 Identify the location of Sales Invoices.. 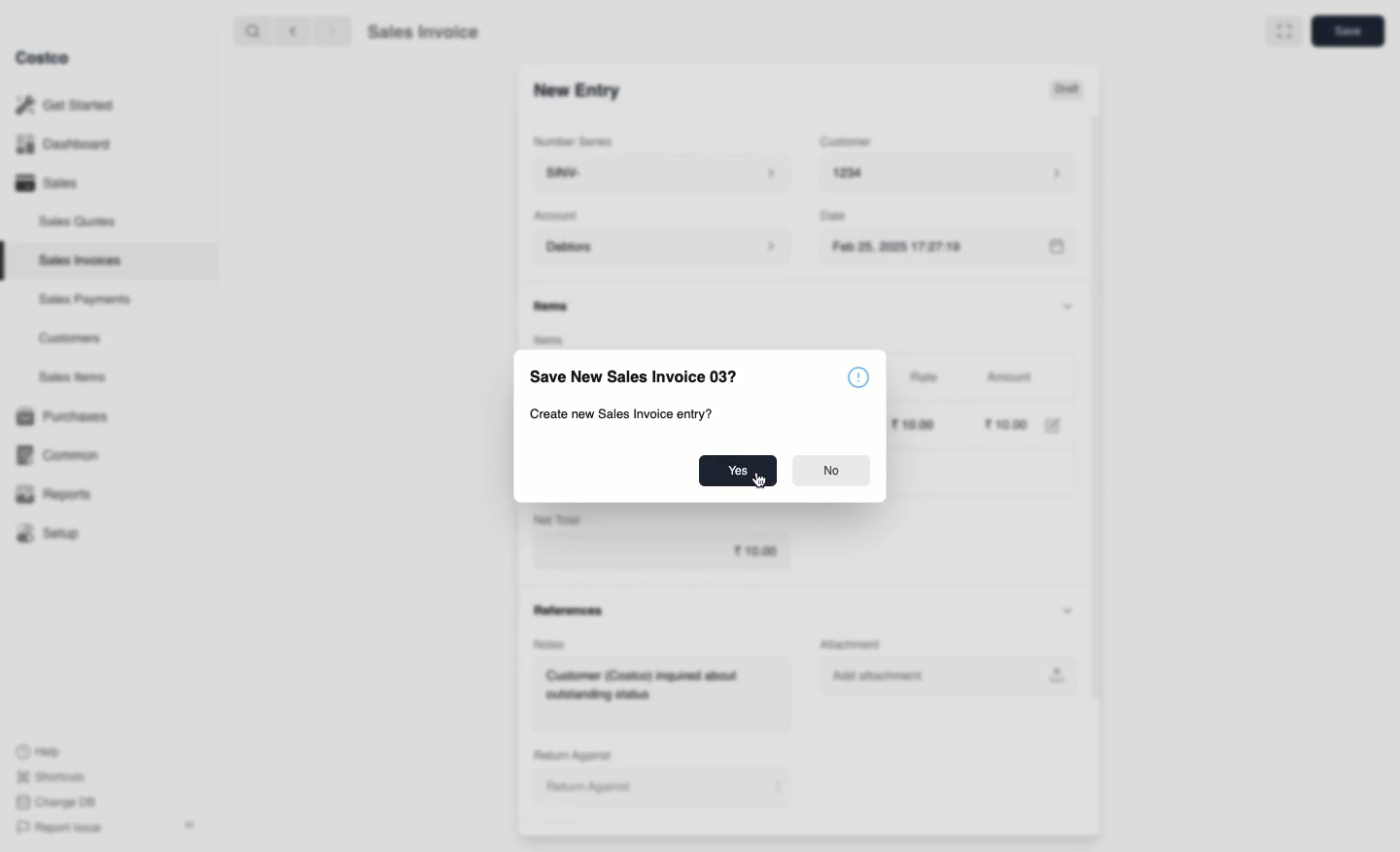
(78, 262).